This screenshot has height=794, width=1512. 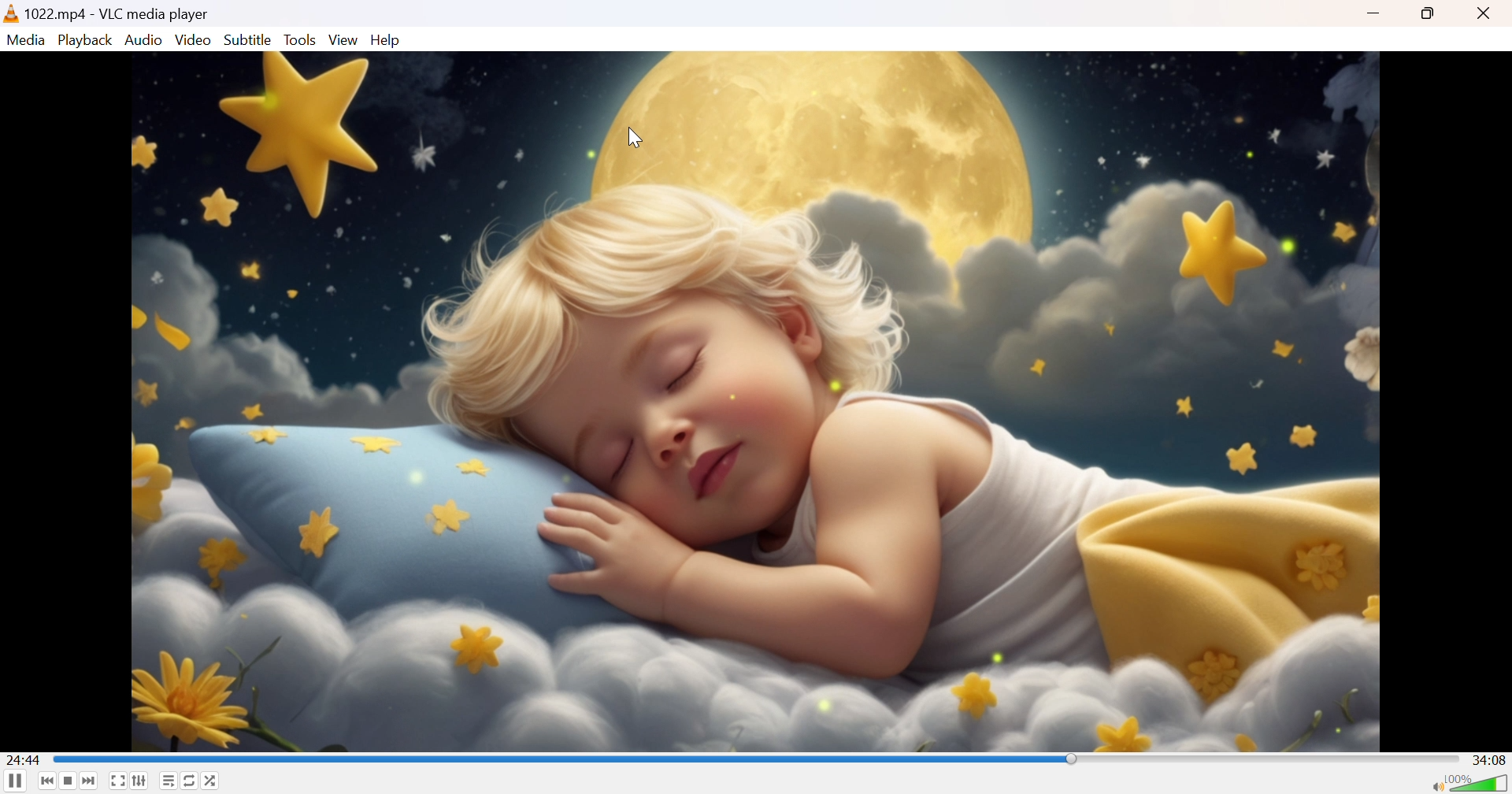 I want to click on Close, so click(x=1484, y=14).